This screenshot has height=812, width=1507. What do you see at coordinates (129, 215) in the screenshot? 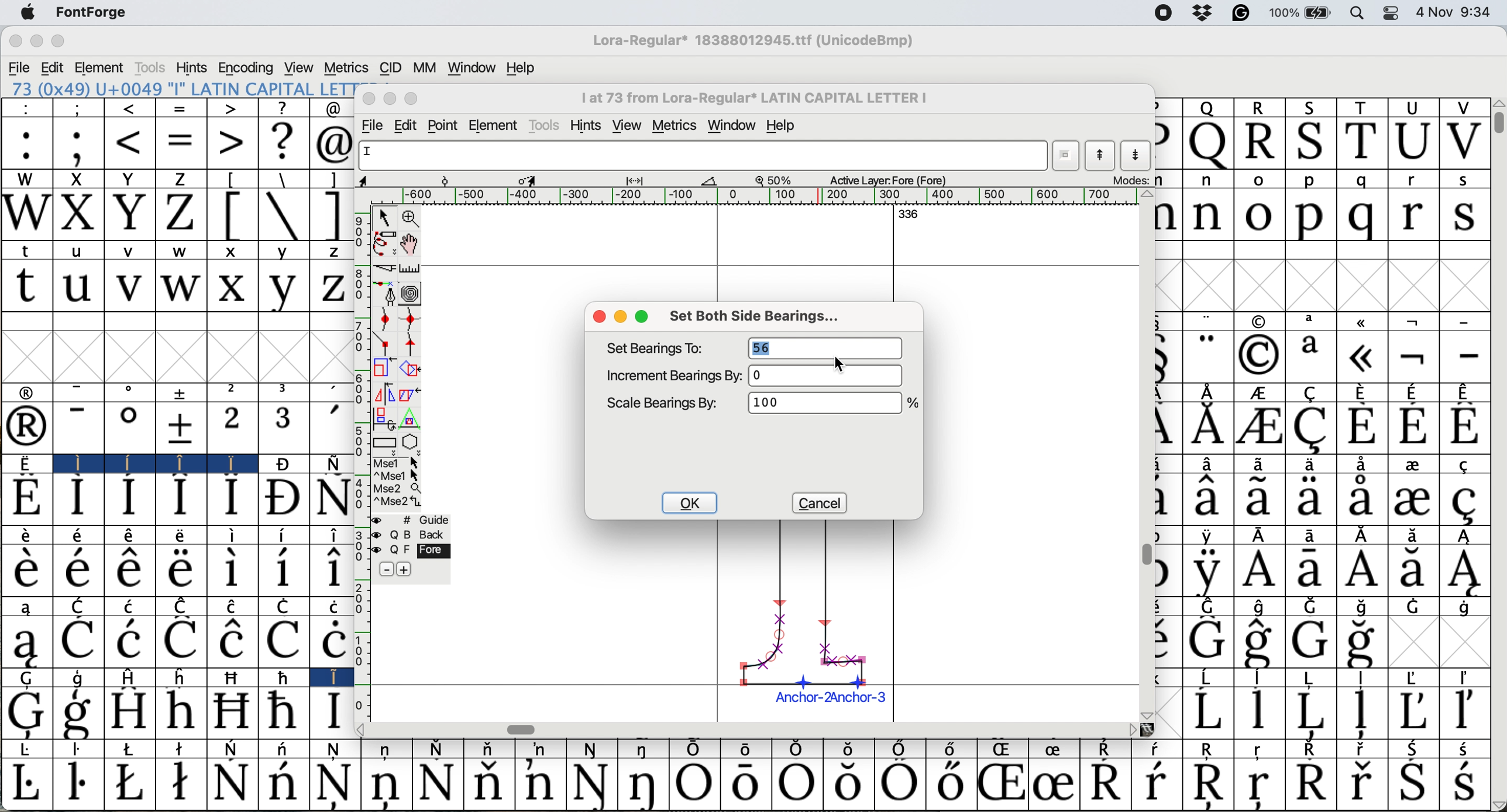
I see `Y` at bounding box center [129, 215].